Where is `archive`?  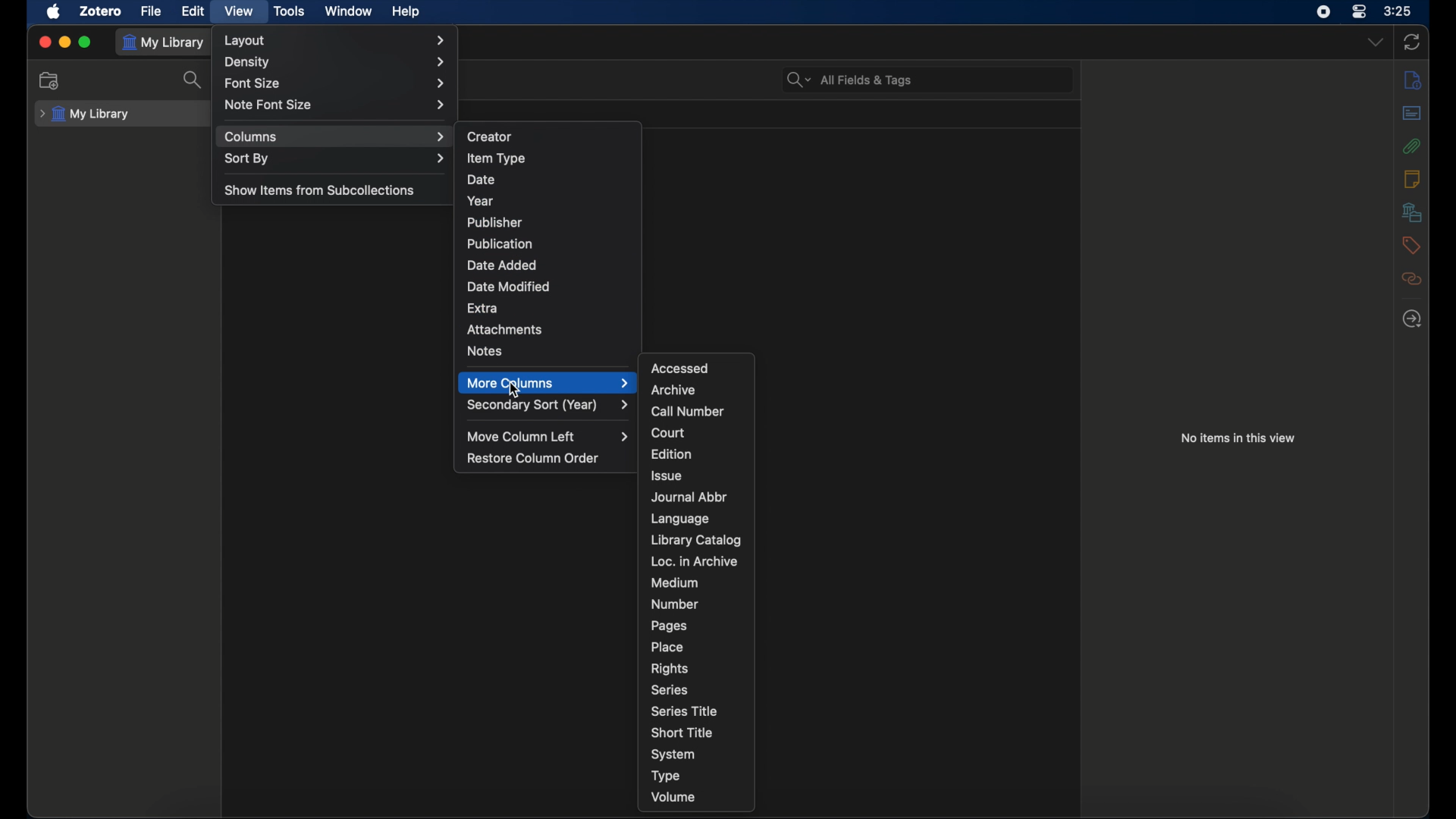 archive is located at coordinates (674, 391).